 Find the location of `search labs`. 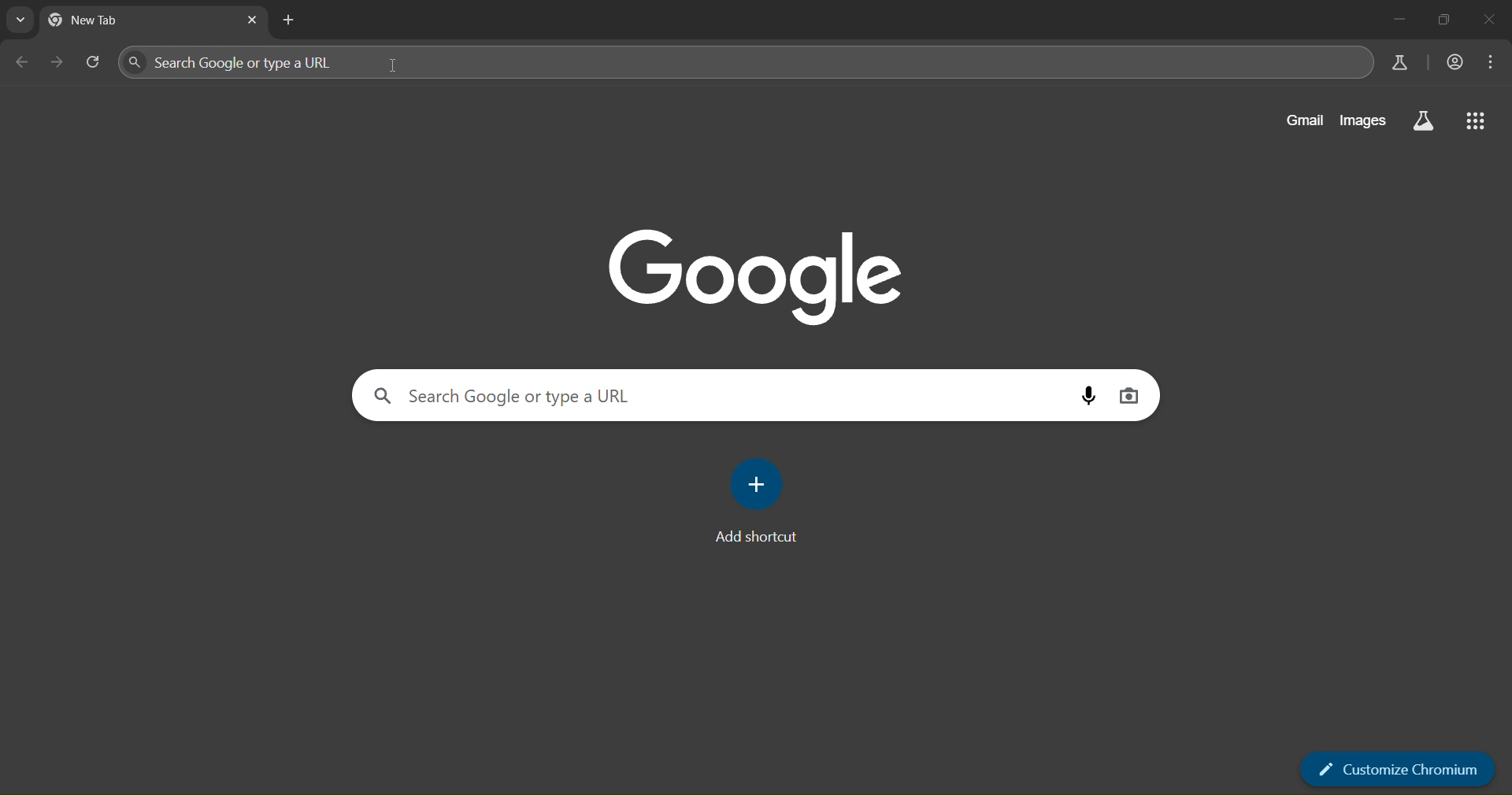

search labs is located at coordinates (1421, 121).